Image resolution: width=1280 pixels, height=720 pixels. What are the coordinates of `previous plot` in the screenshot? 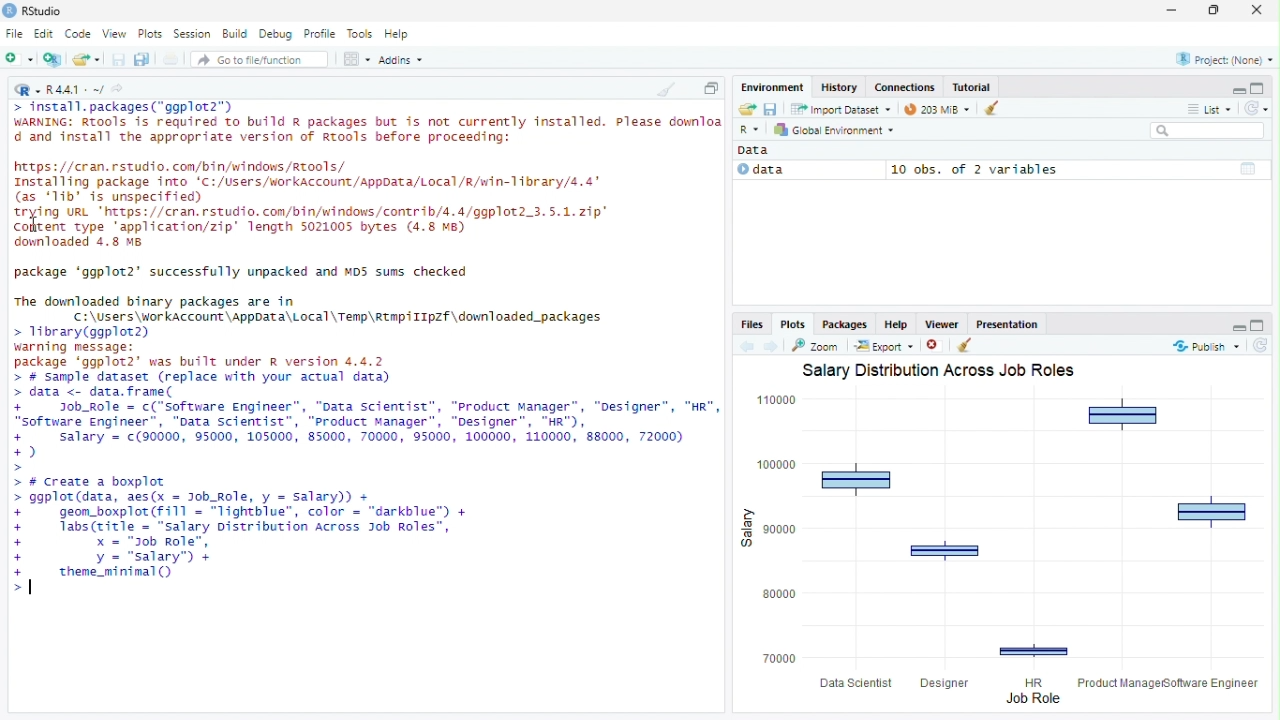 It's located at (749, 345).